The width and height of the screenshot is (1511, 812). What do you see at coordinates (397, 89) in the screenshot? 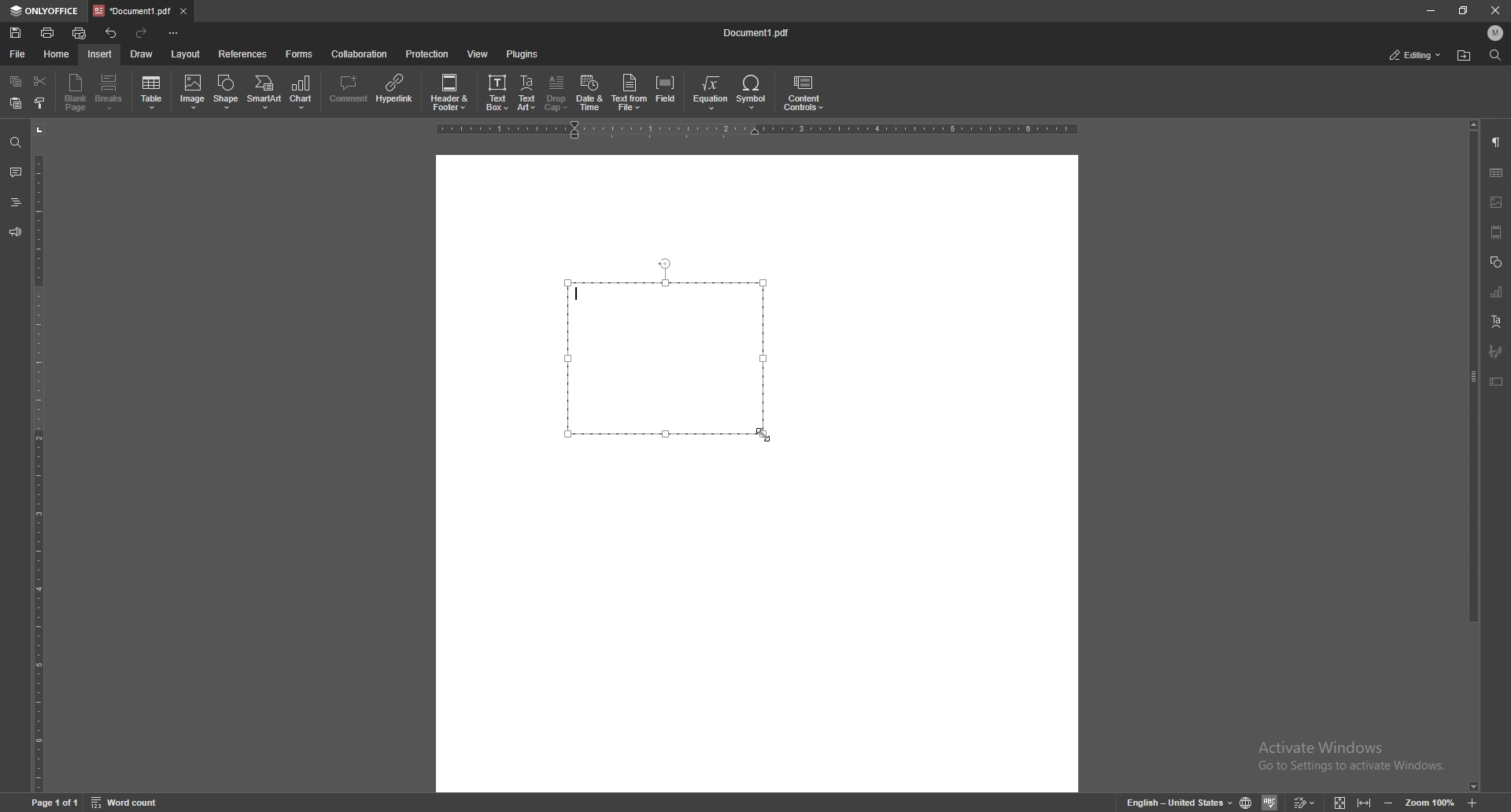
I see `hyperlink` at bounding box center [397, 89].